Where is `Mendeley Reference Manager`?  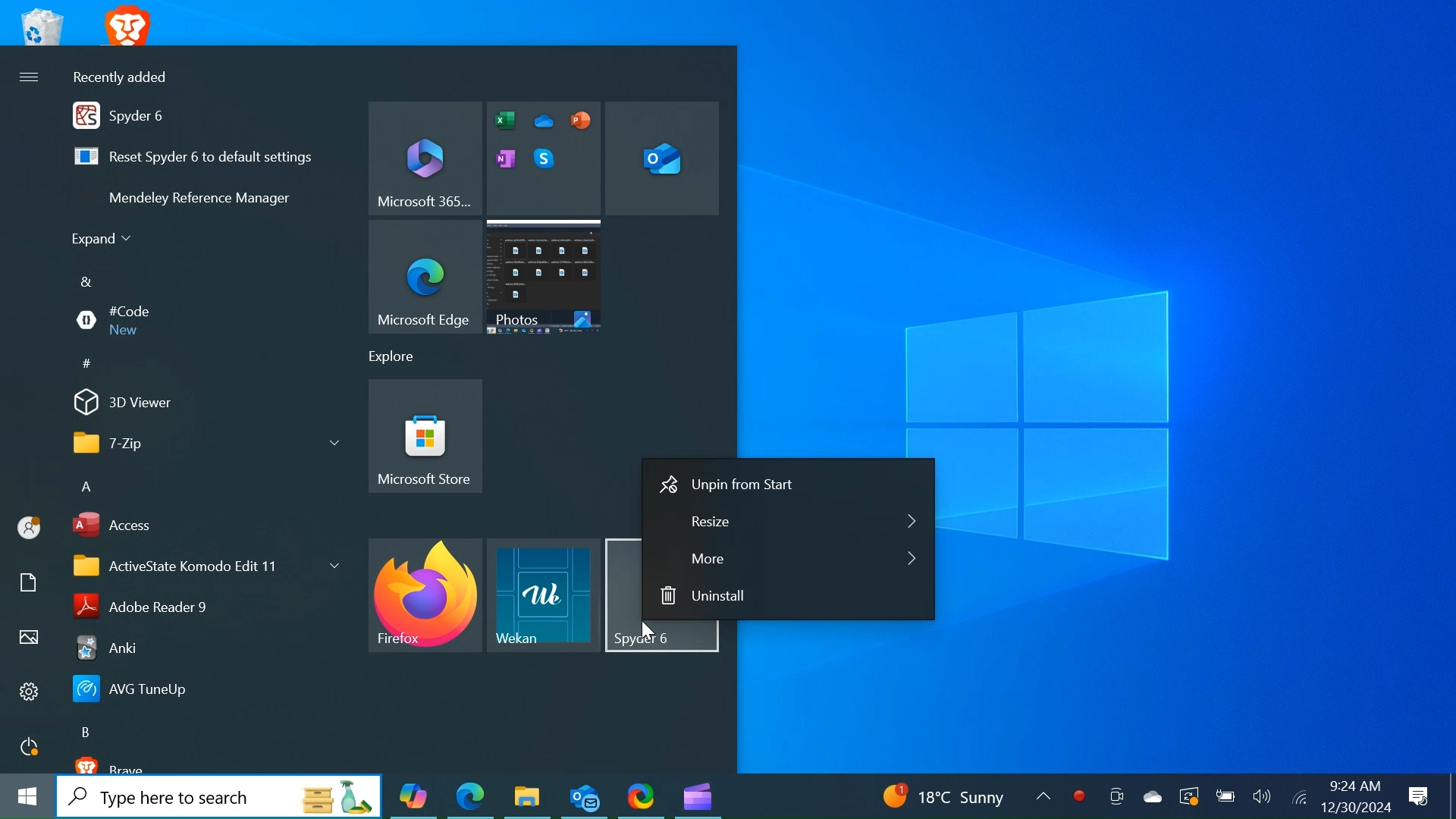
Mendeley Reference Manager is located at coordinates (207, 201).